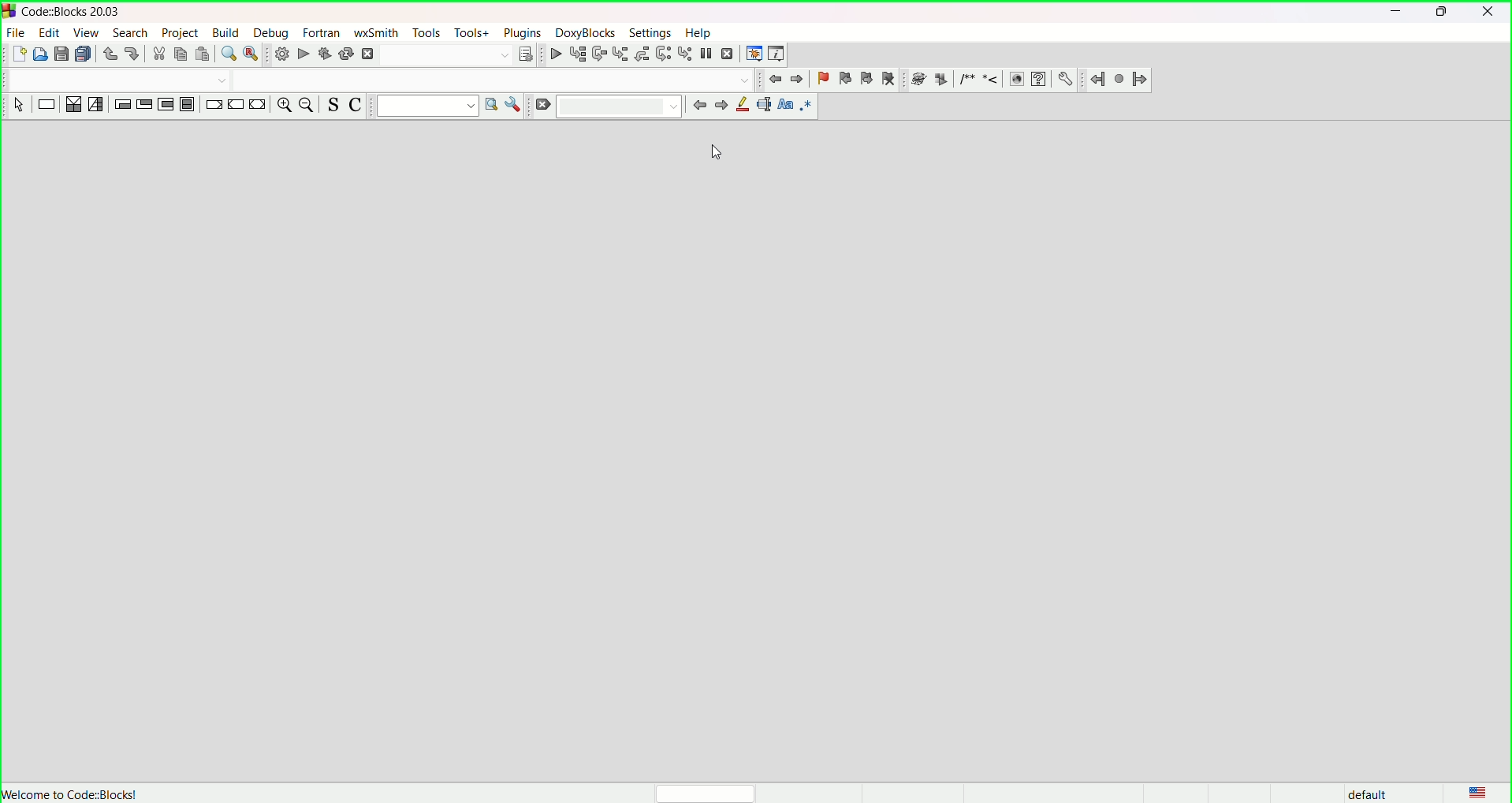  Describe the element at coordinates (965, 80) in the screenshot. I see `Insert comment block` at that location.